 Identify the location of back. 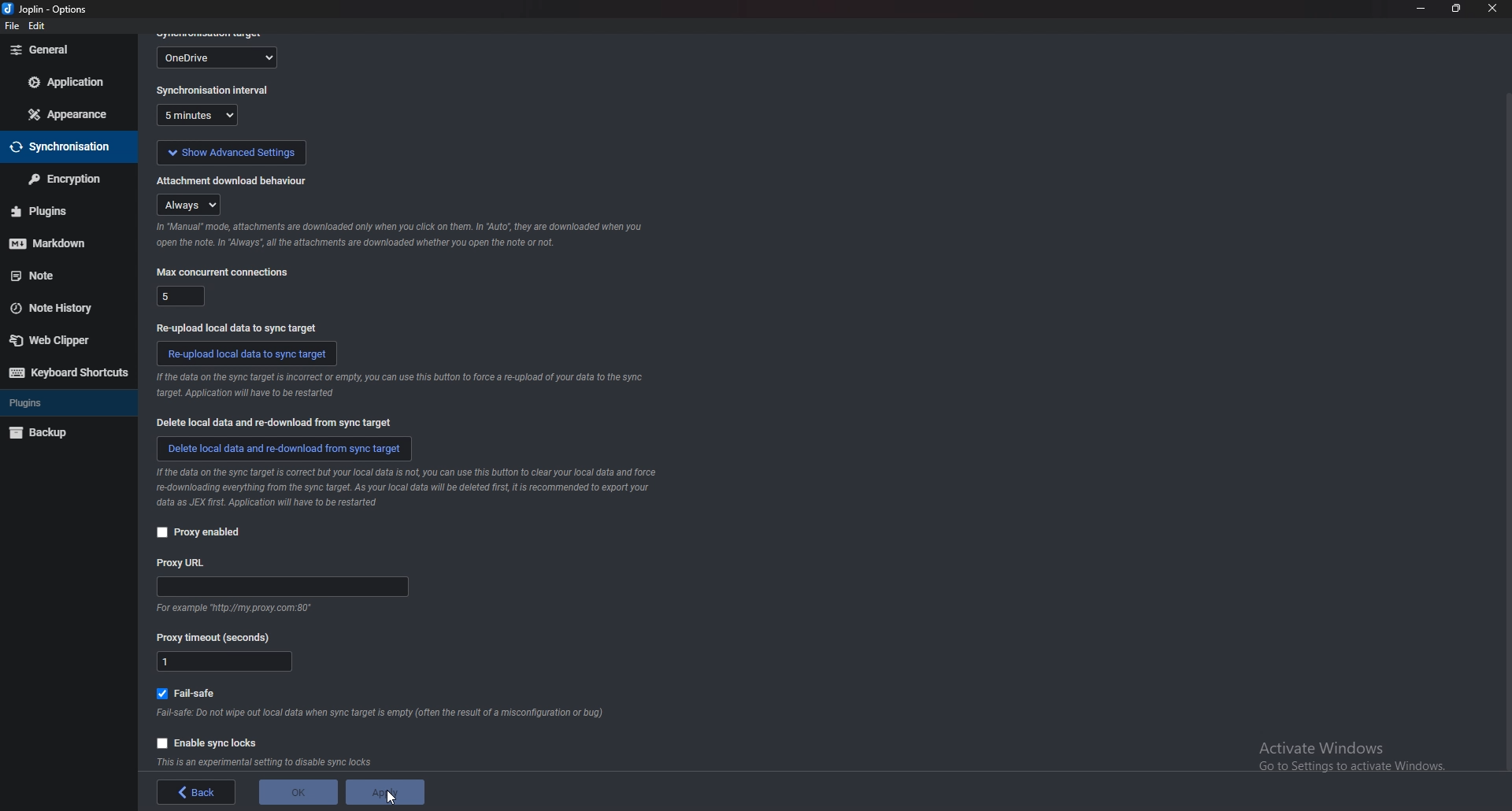
(199, 793).